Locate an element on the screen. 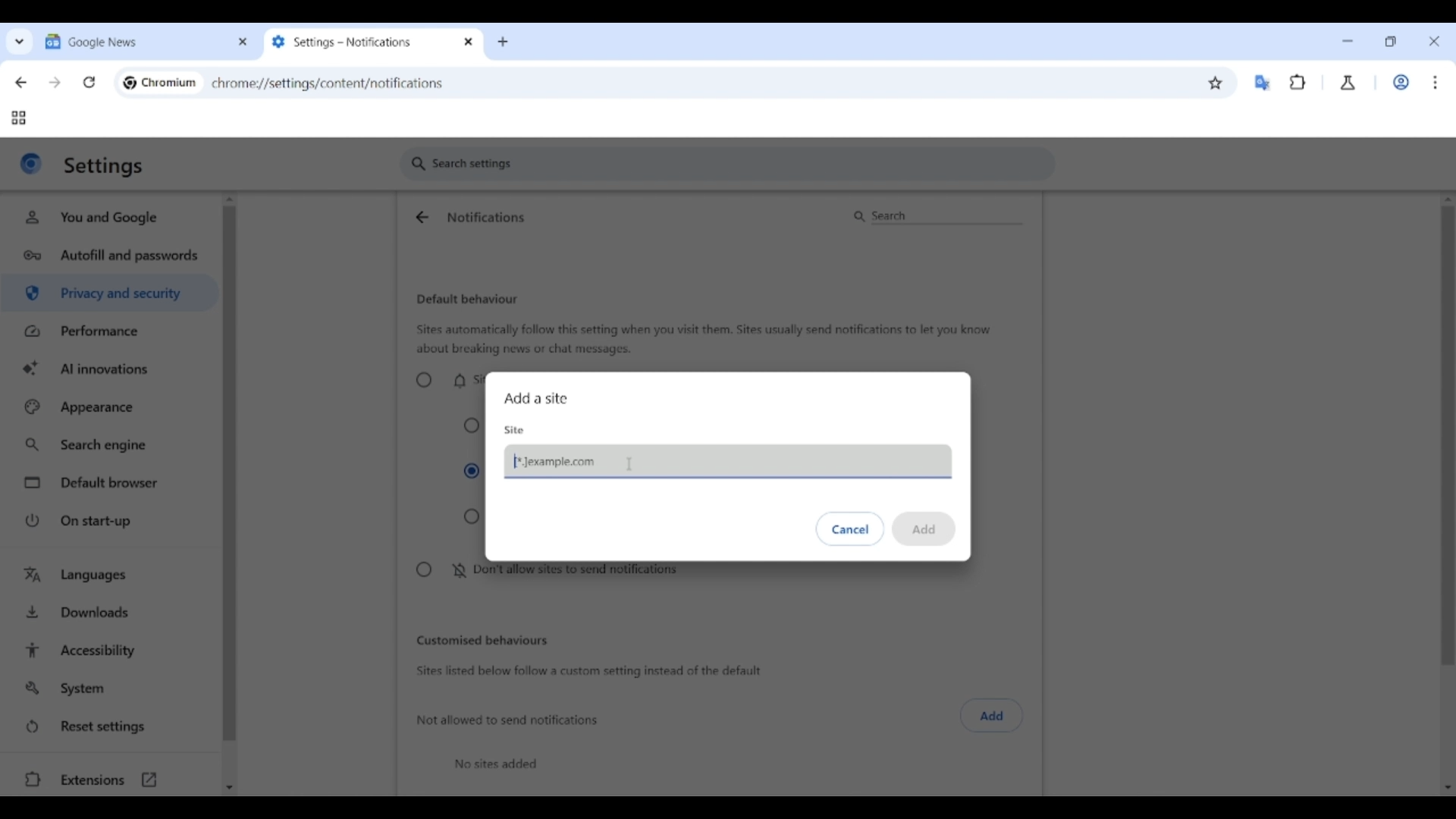 This screenshot has width=1456, height=819. Tab 1 is located at coordinates (135, 41).